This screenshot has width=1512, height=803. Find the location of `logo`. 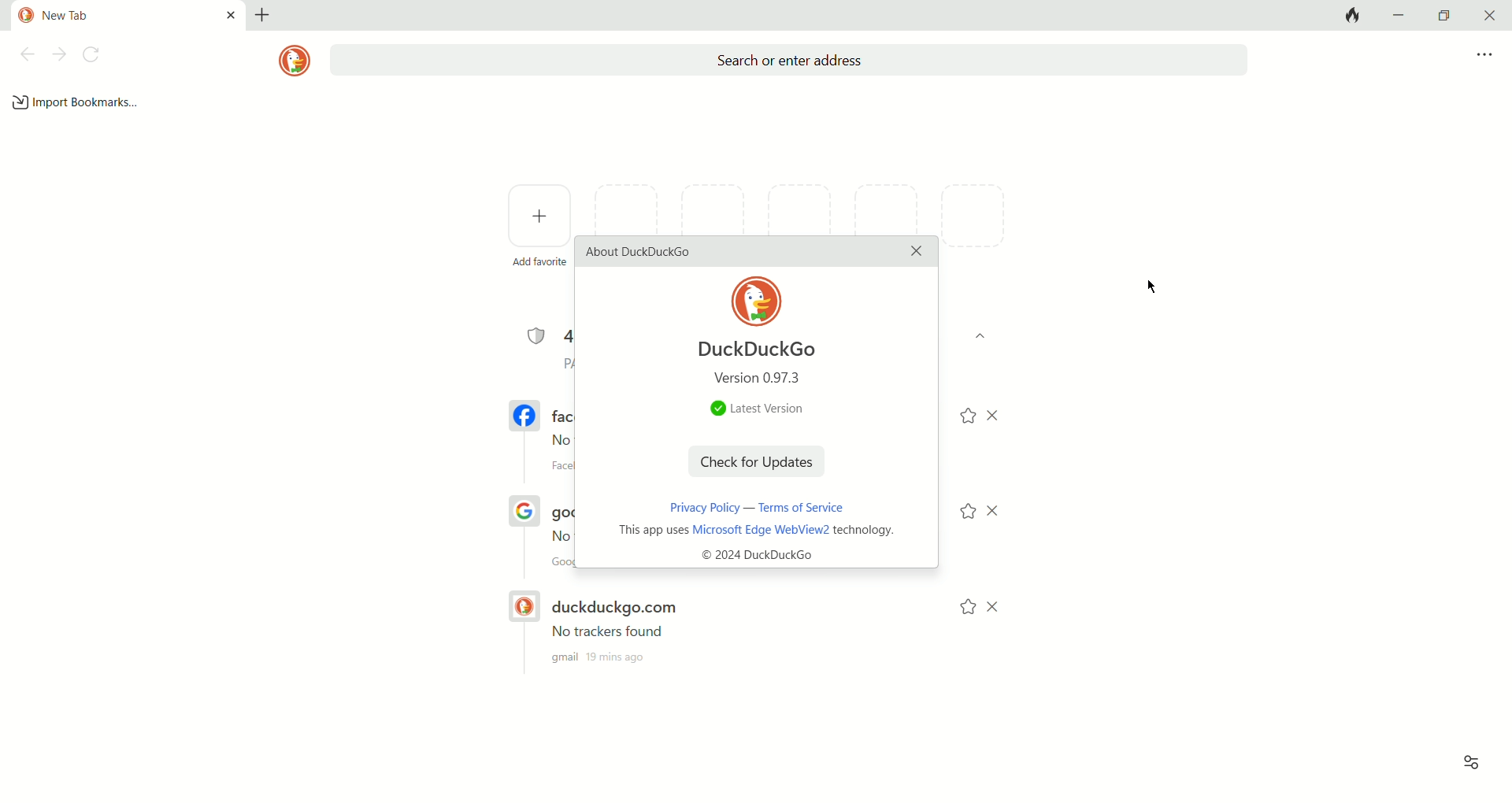

logo is located at coordinates (290, 61).